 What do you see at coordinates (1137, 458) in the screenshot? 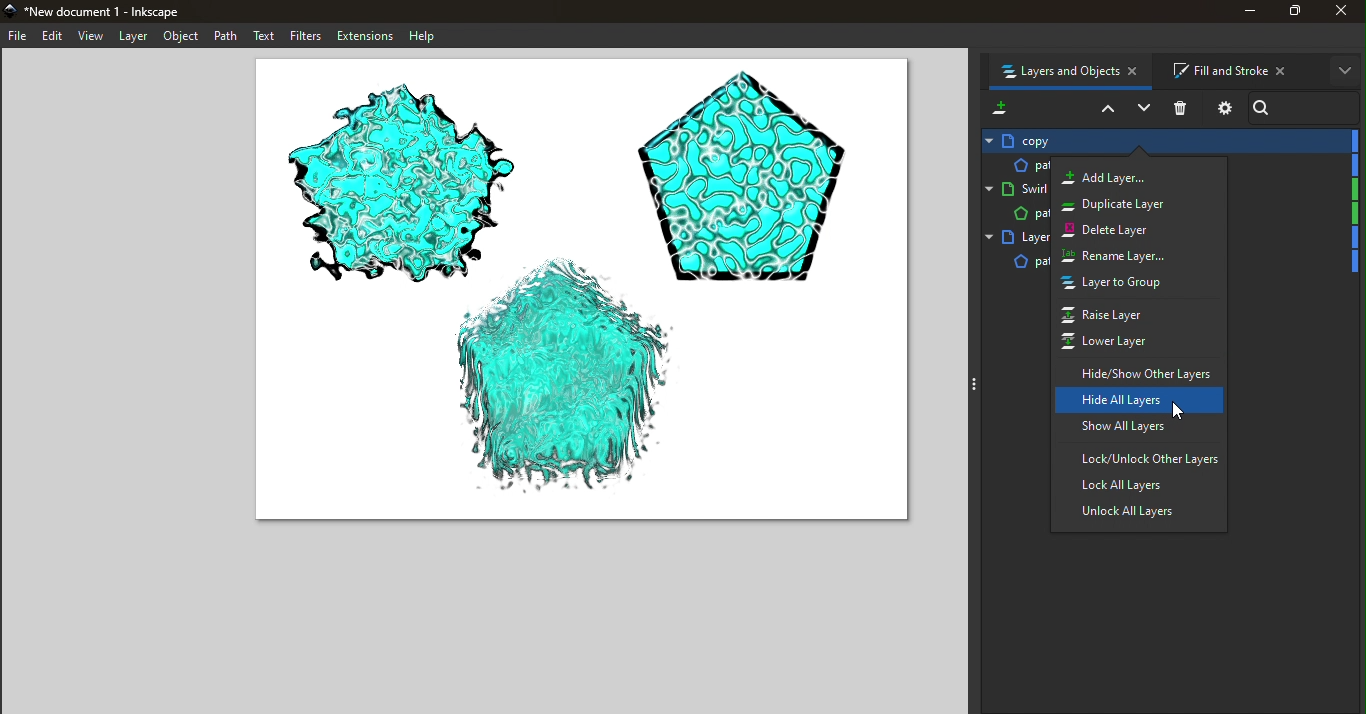
I see `Lock/Unlock other layers` at bounding box center [1137, 458].